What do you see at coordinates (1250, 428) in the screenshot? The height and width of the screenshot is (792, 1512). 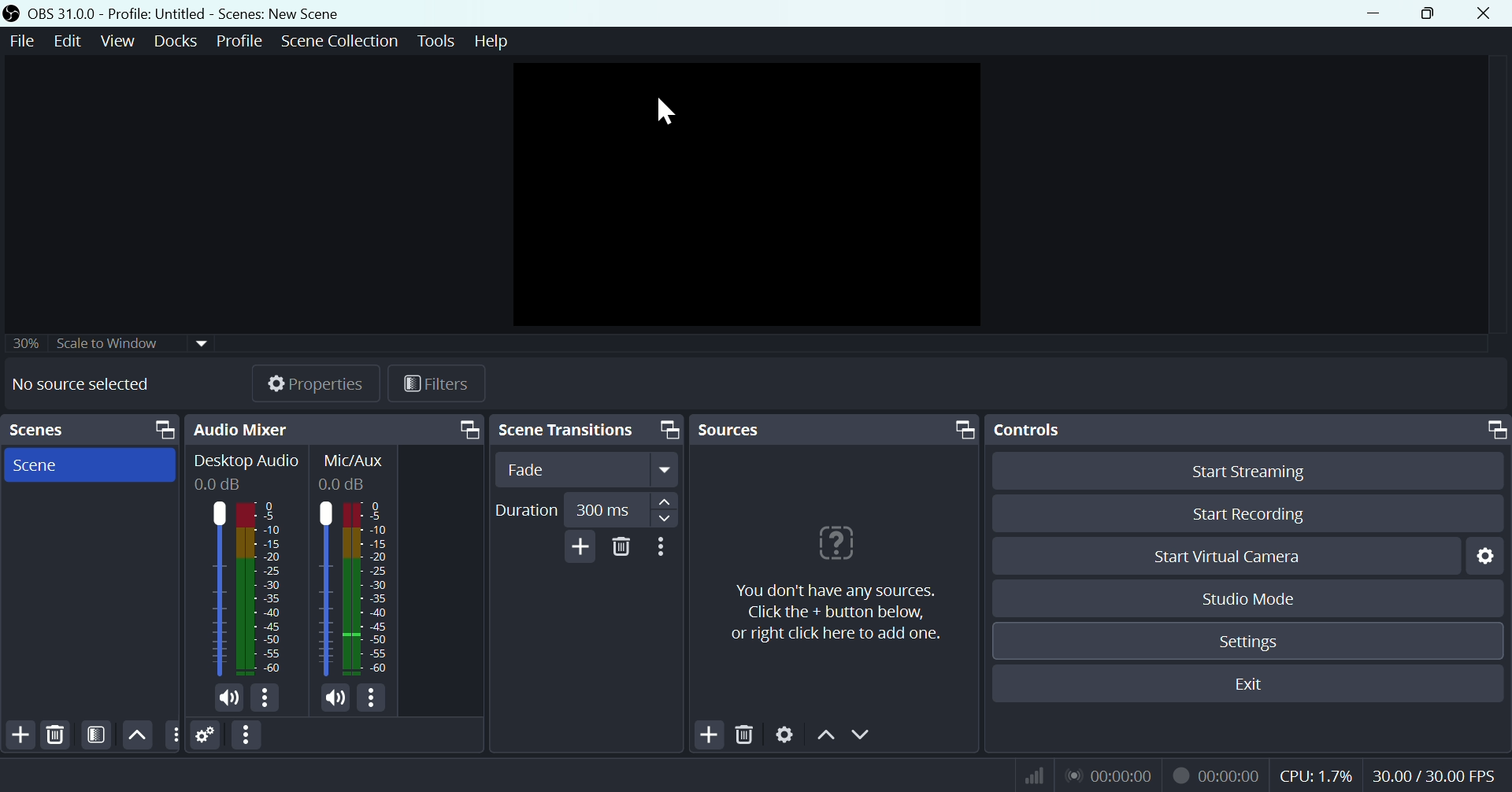 I see `Control` at bounding box center [1250, 428].